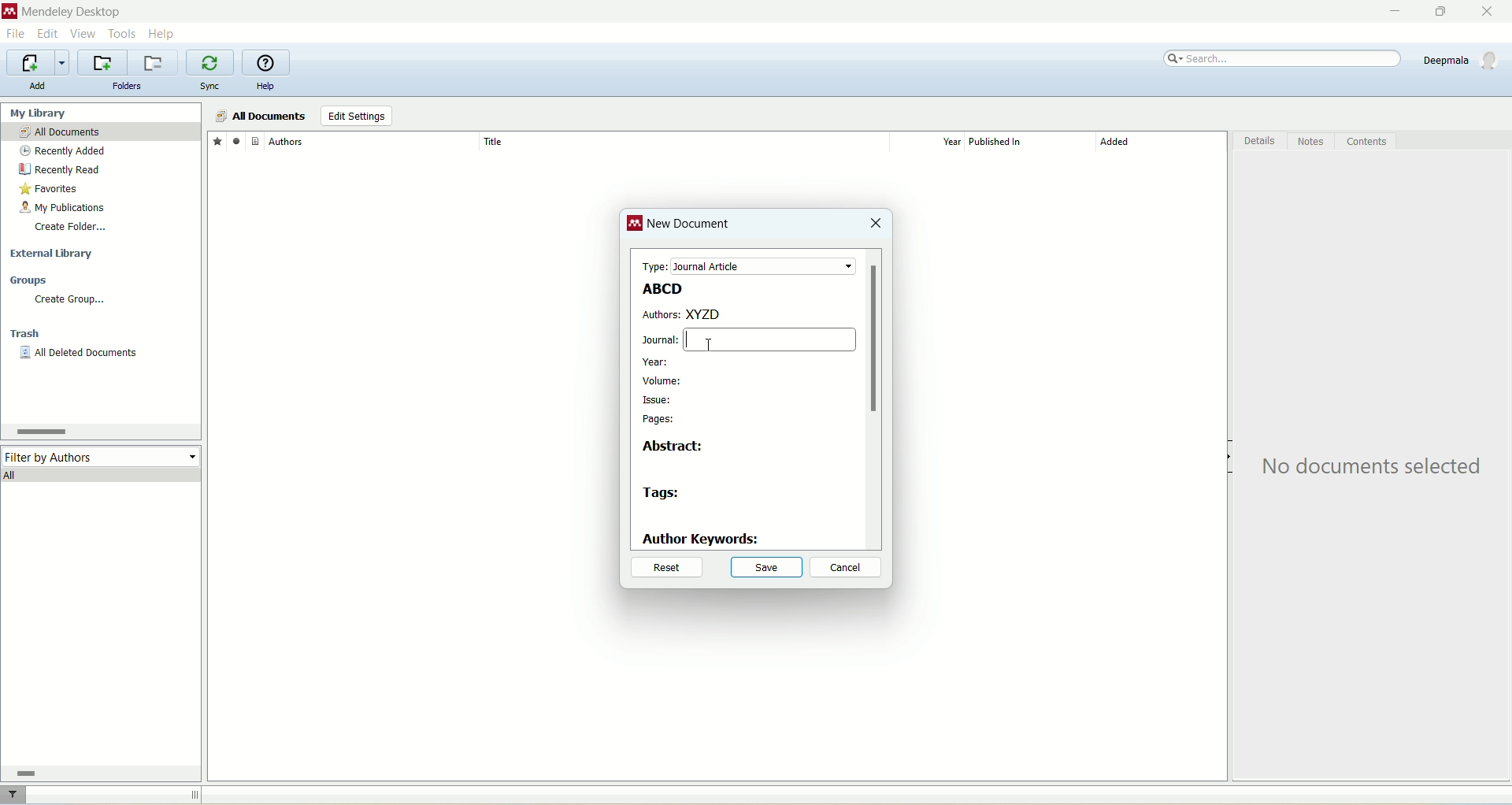 The width and height of the screenshot is (1512, 805). I want to click on read/unread, so click(234, 140).